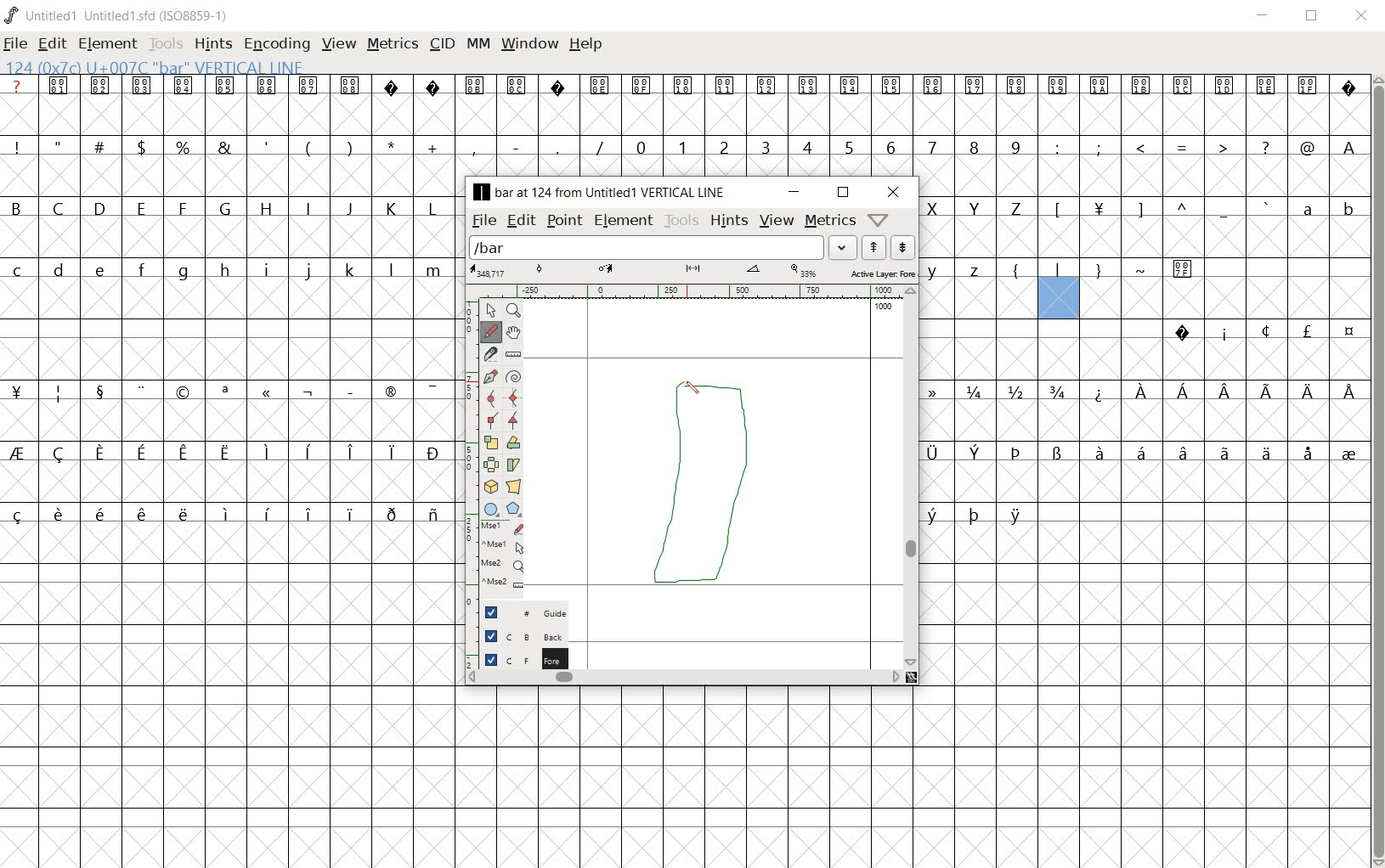  What do you see at coordinates (1145, 603) in the screenshot?
I see `empty cells` at bounding box center [1145, 603].